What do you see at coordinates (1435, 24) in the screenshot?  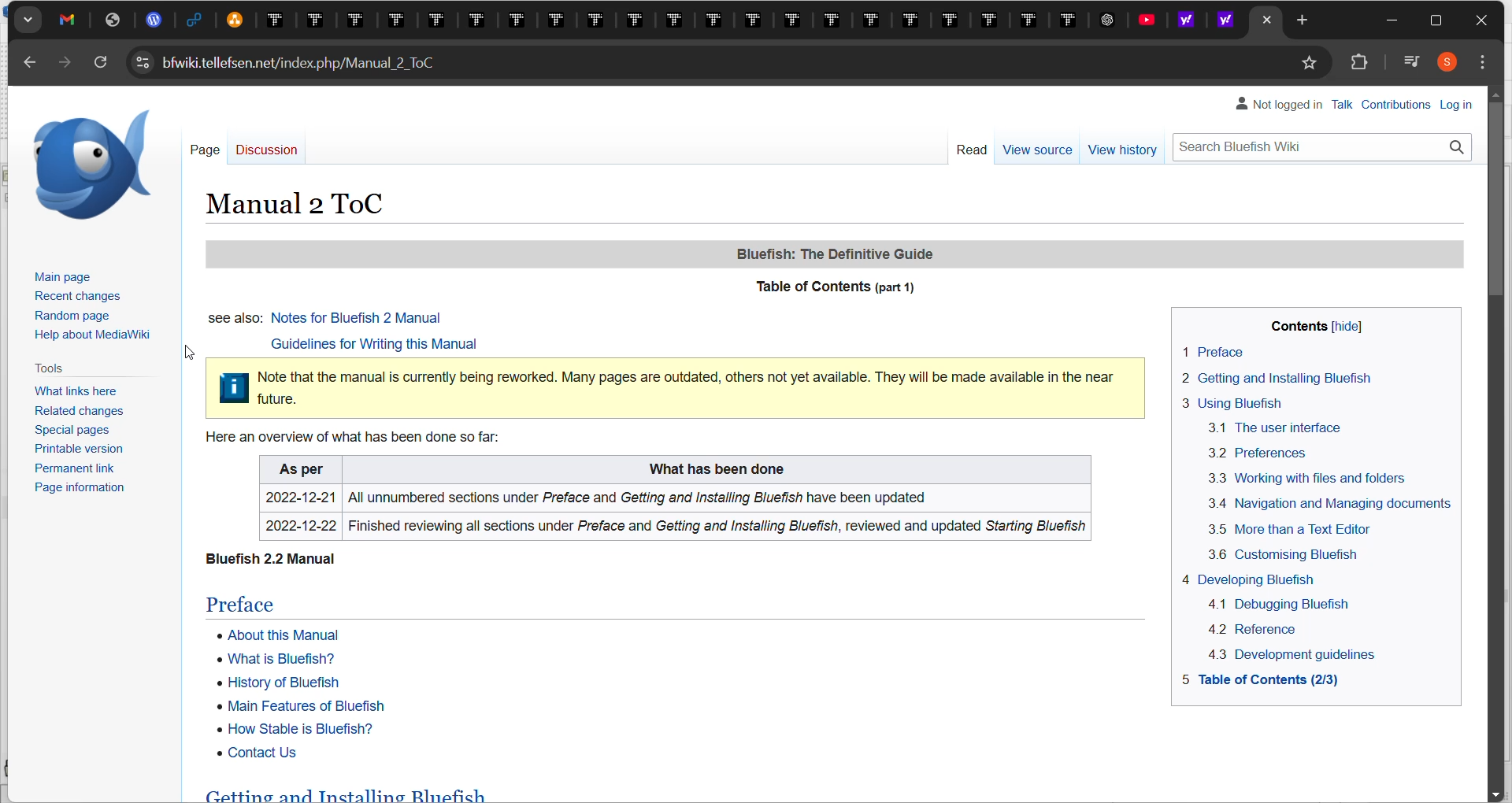 I see `maximize` at bounding box center [1435, 24].